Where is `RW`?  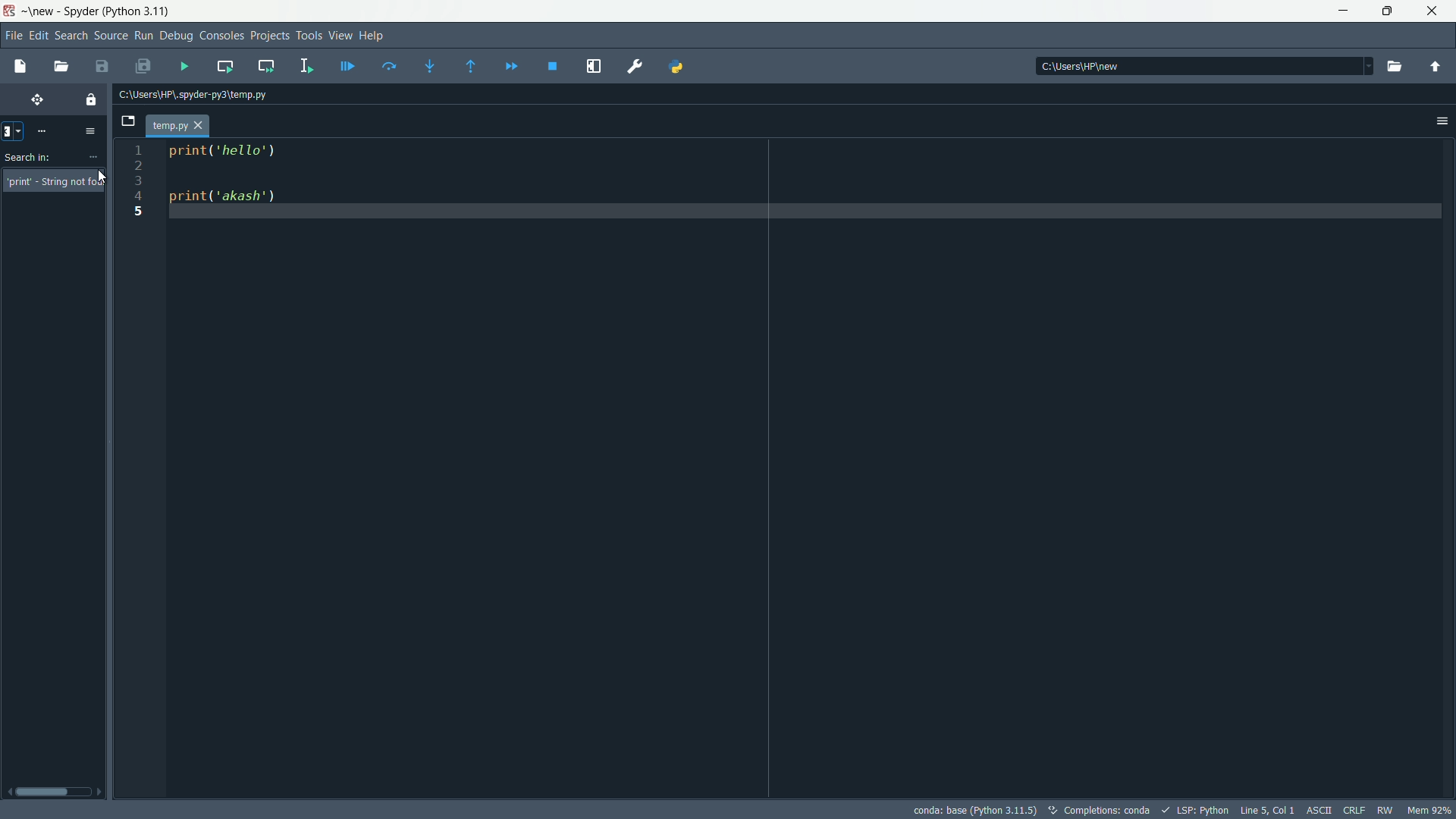 RW is located at coordinates (1385, 809).